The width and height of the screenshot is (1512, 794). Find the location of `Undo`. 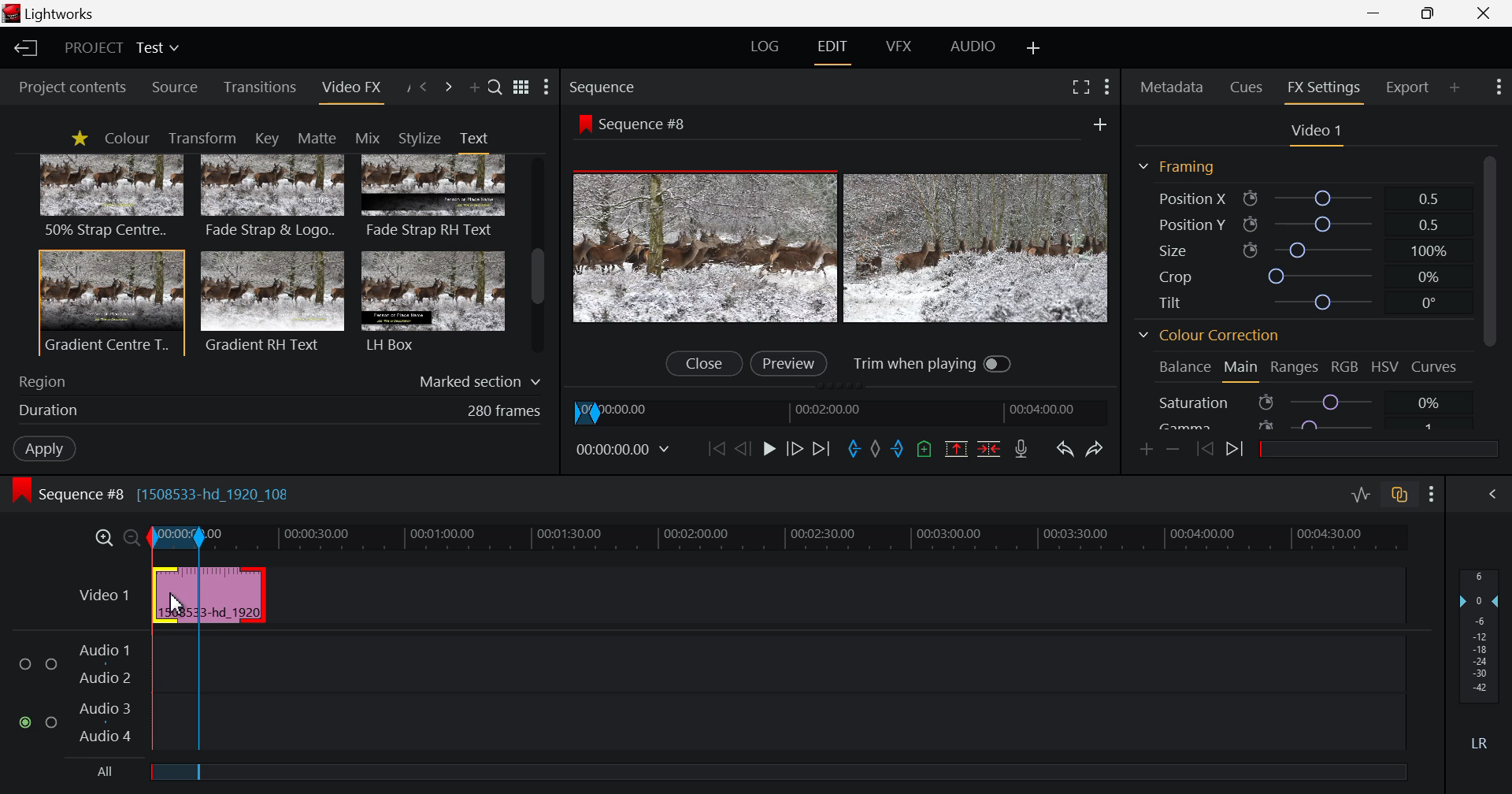

Undo is located at coordinates (1065, 449).